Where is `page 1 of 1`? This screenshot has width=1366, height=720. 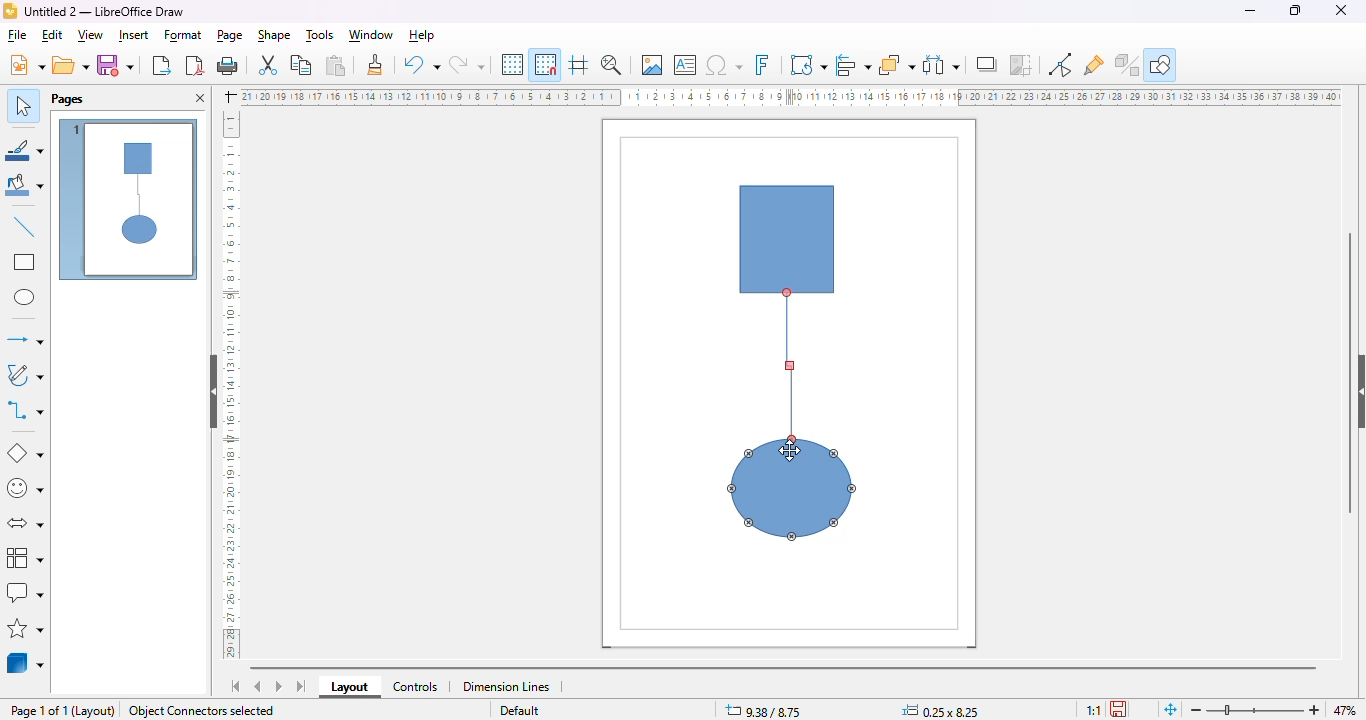
page 1 of 1 is located at coordinates (39, 711).